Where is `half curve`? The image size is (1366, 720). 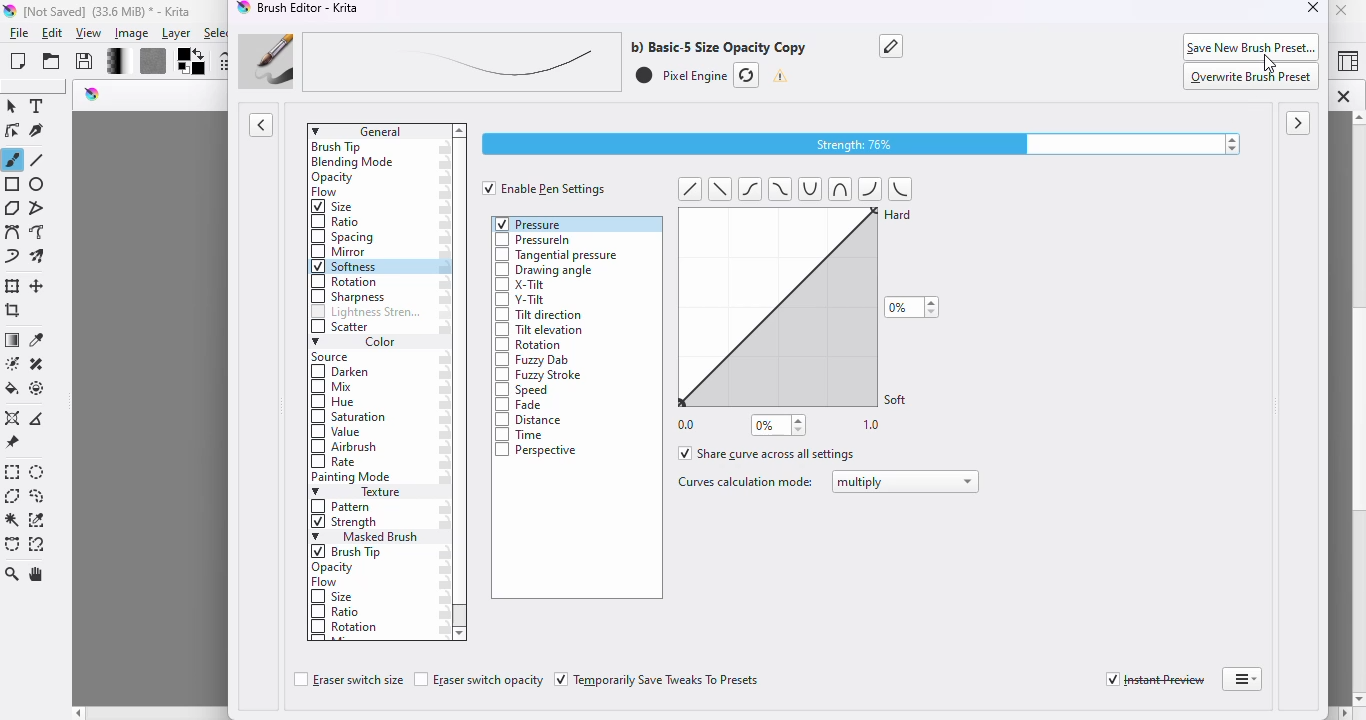
half curve is located at coordinates (872, 188).